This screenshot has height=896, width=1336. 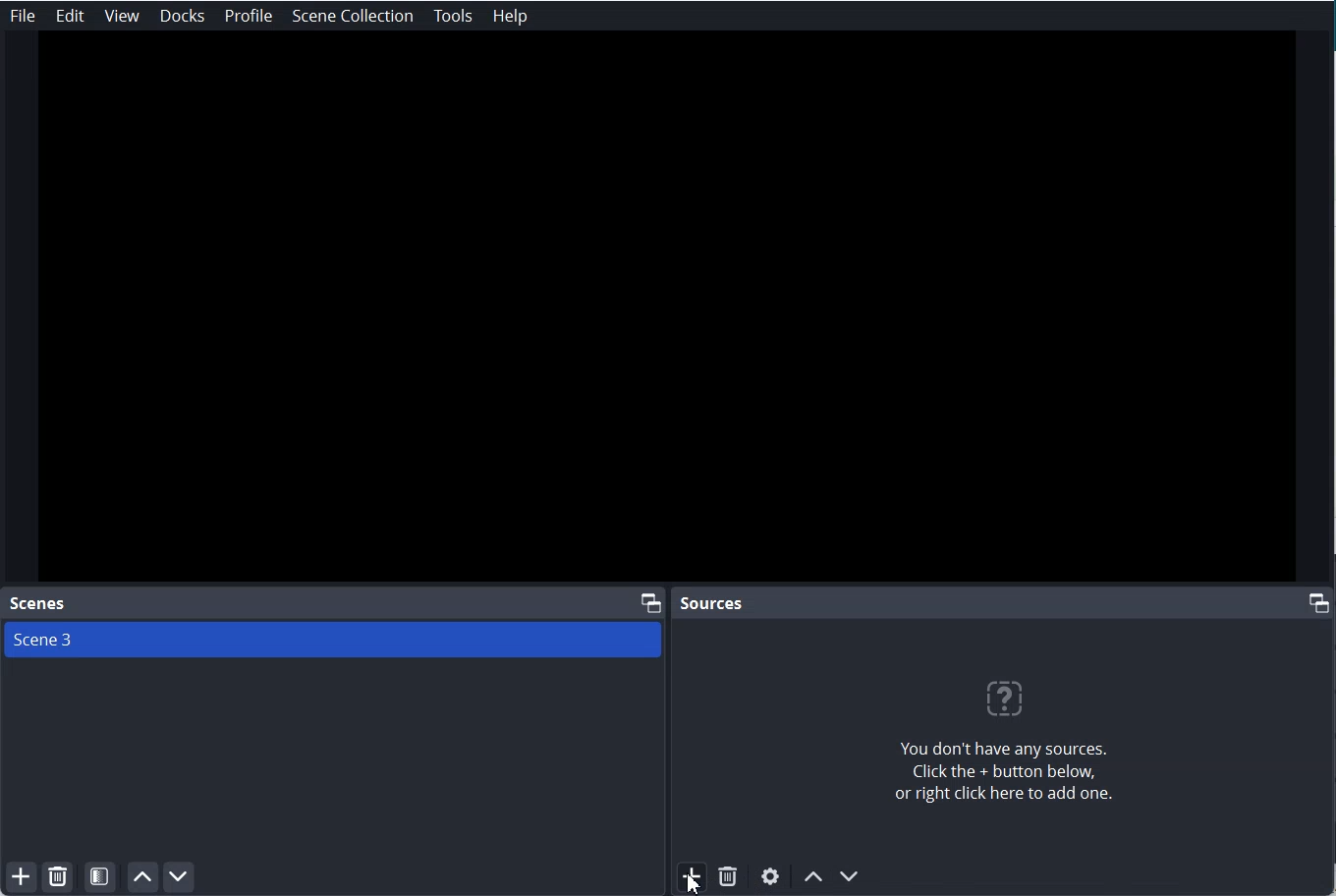 What do you see at coordinates (769, 878) in the screenshot?
I see `Open Source Settings` at bounding box center [769, 878].